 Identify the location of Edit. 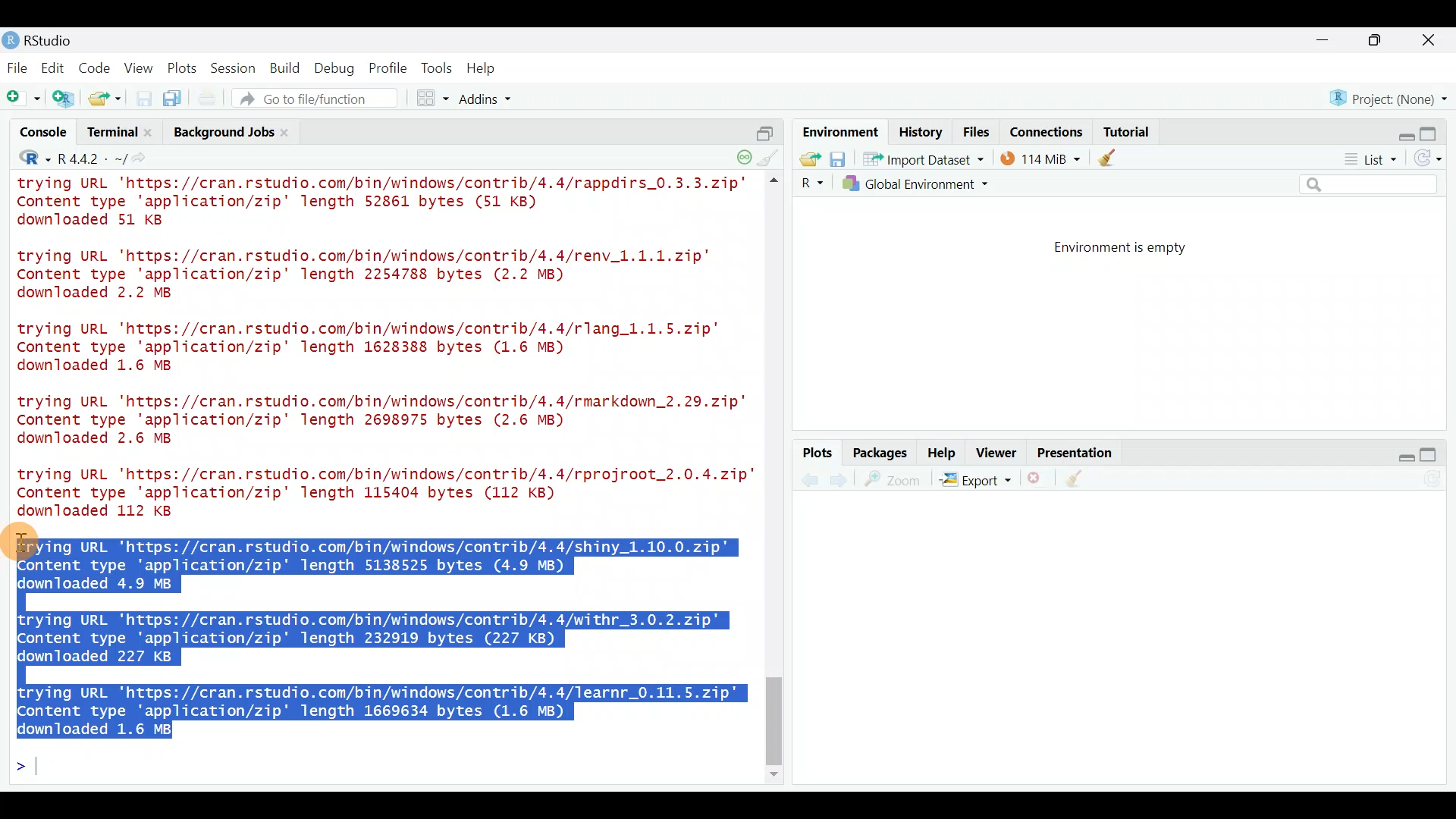
(55, 69).